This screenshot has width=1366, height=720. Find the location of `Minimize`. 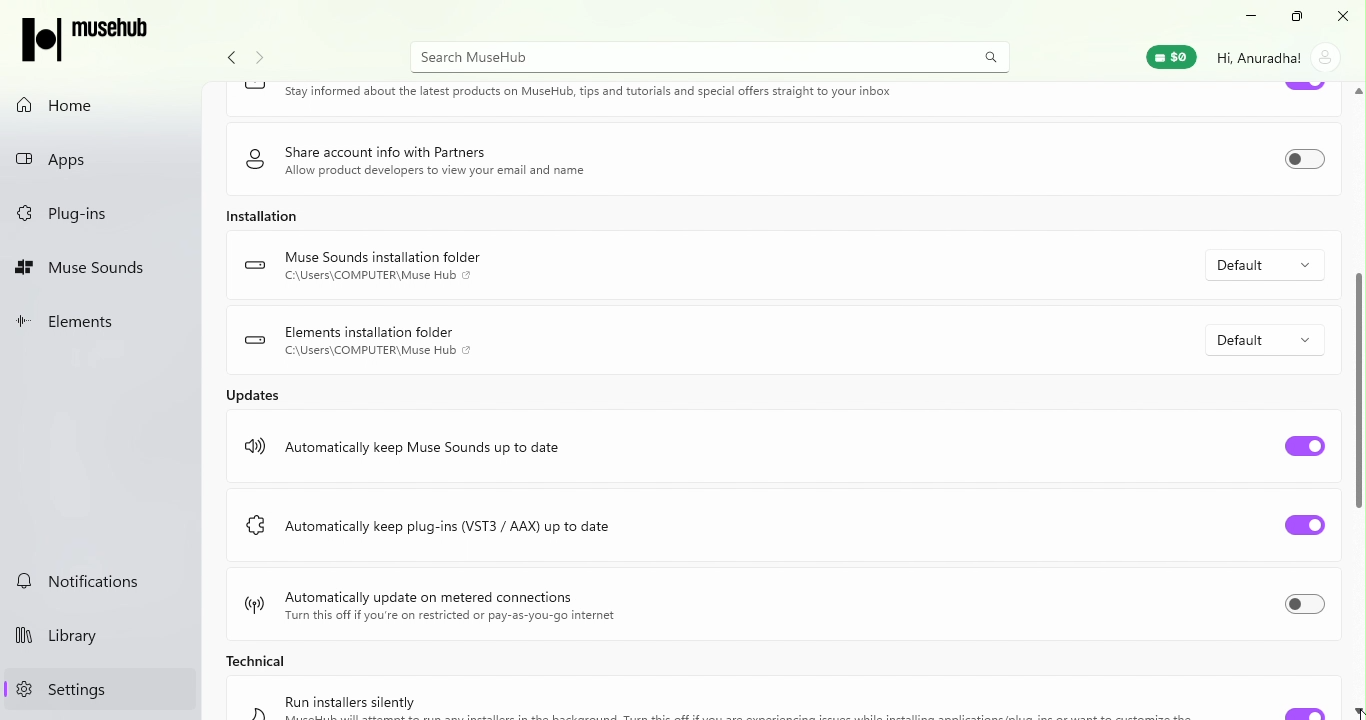

Minimize is located at coordinates (1248, 20).